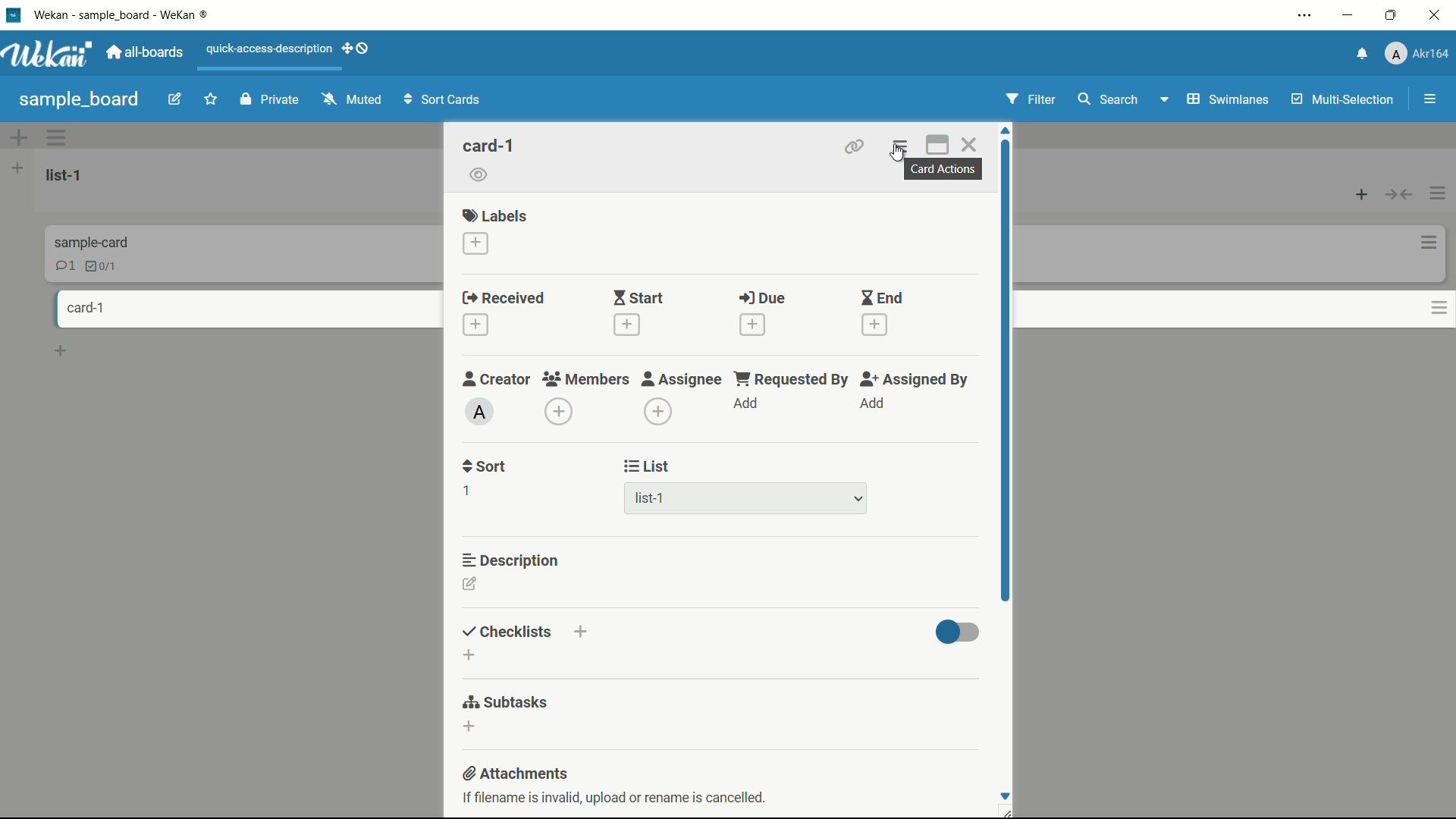 This screenshot has width=1456, height=819. What do you see at coordinates (1338, 99) in the screenshot?
I see `multi-selection` at bounding box center [1338, 99].